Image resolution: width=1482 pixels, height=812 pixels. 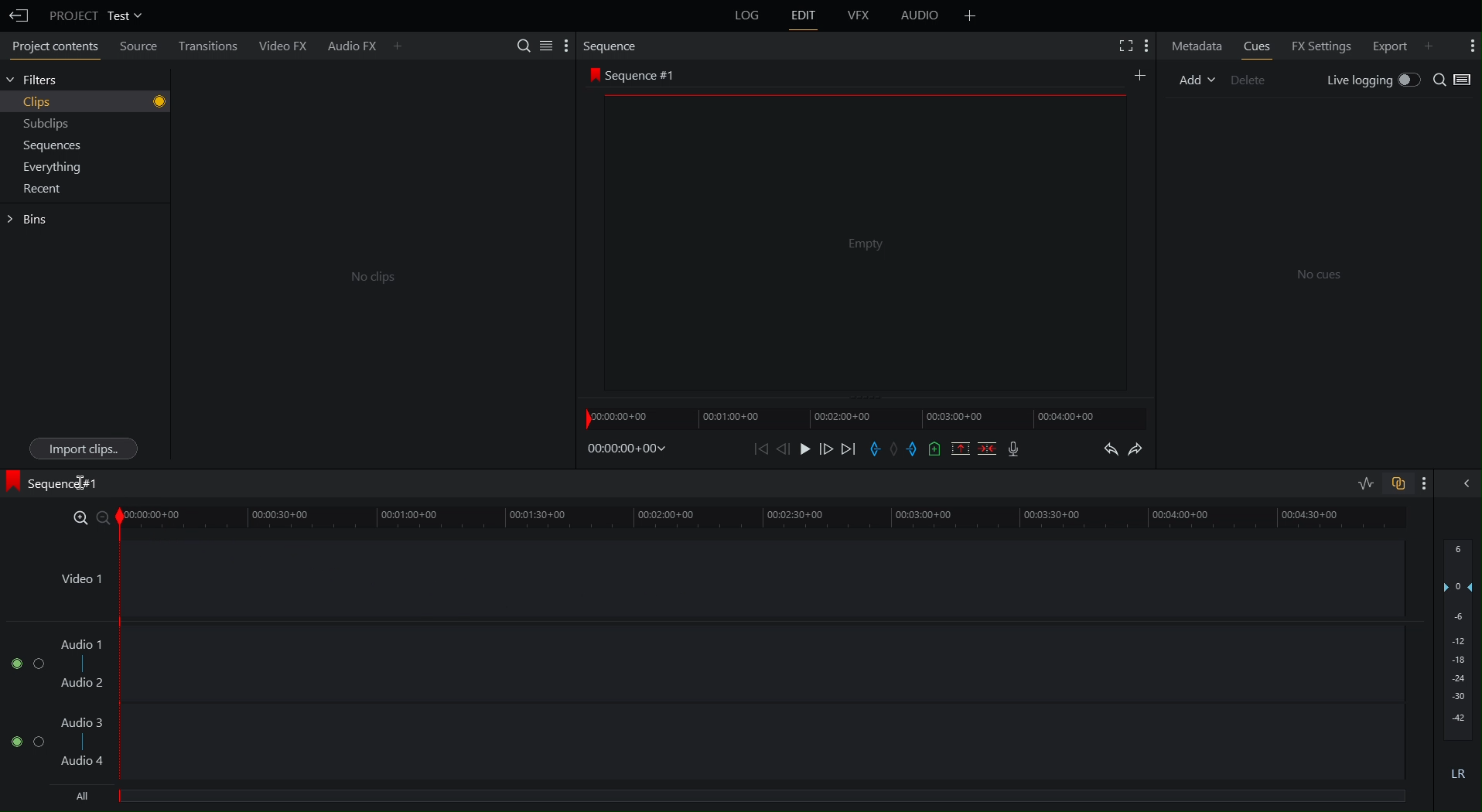 I want to click on Audio output level, so click(x=1456, y=668).